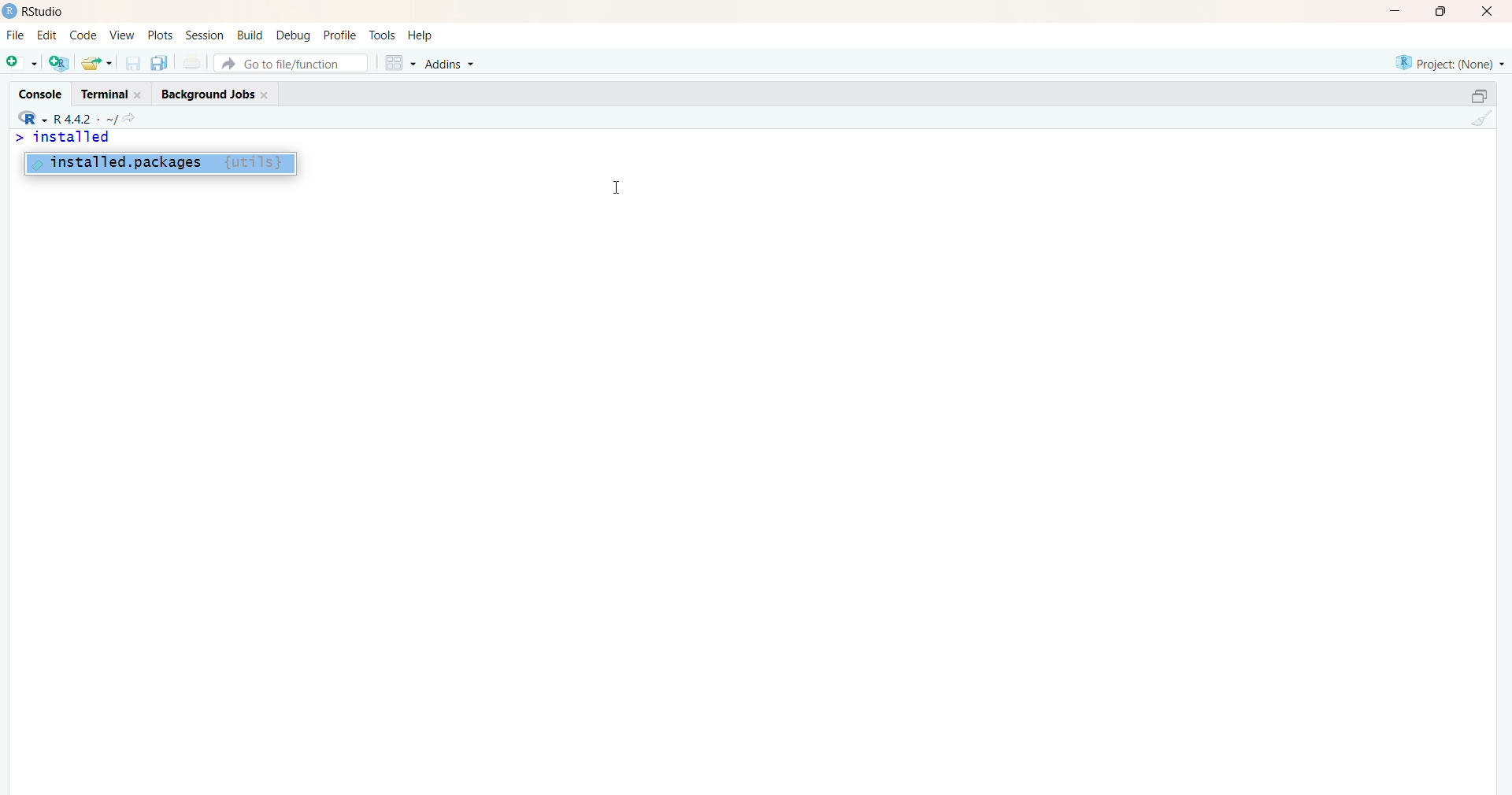  What do you see at coordinates (13, 37) in the screenshot?
I see `File` at bounding box center [13, 37].